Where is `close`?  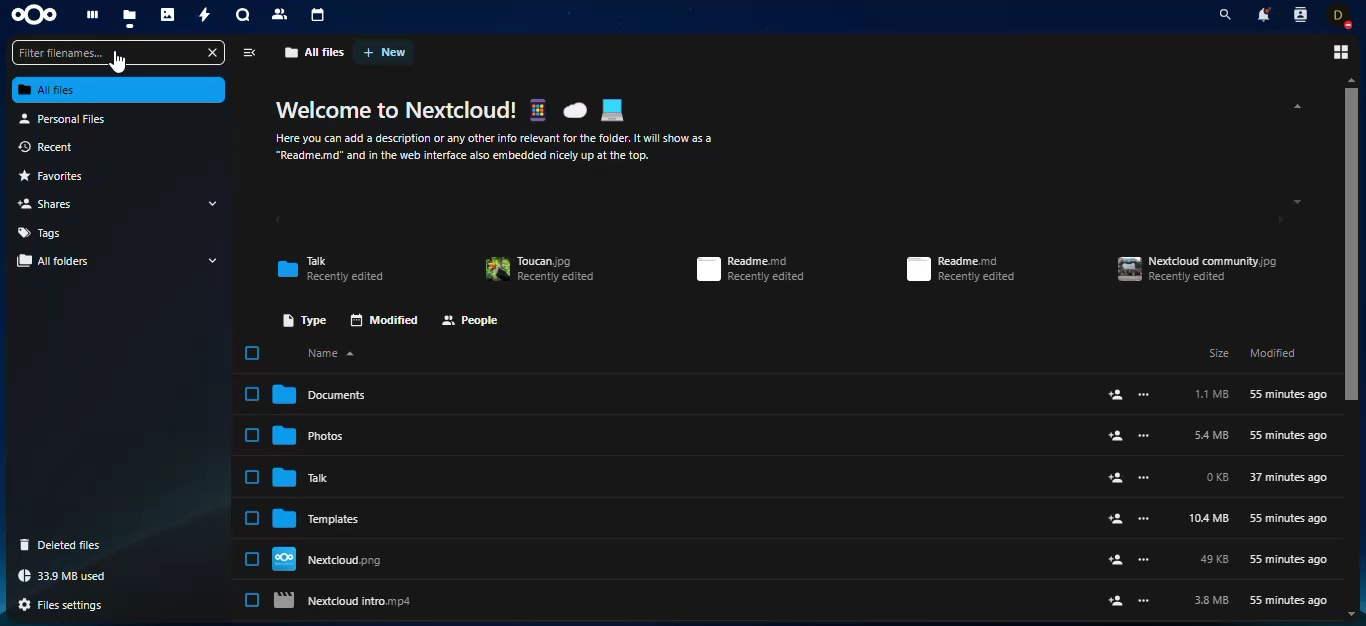 close is located at coordinates (213, 53).